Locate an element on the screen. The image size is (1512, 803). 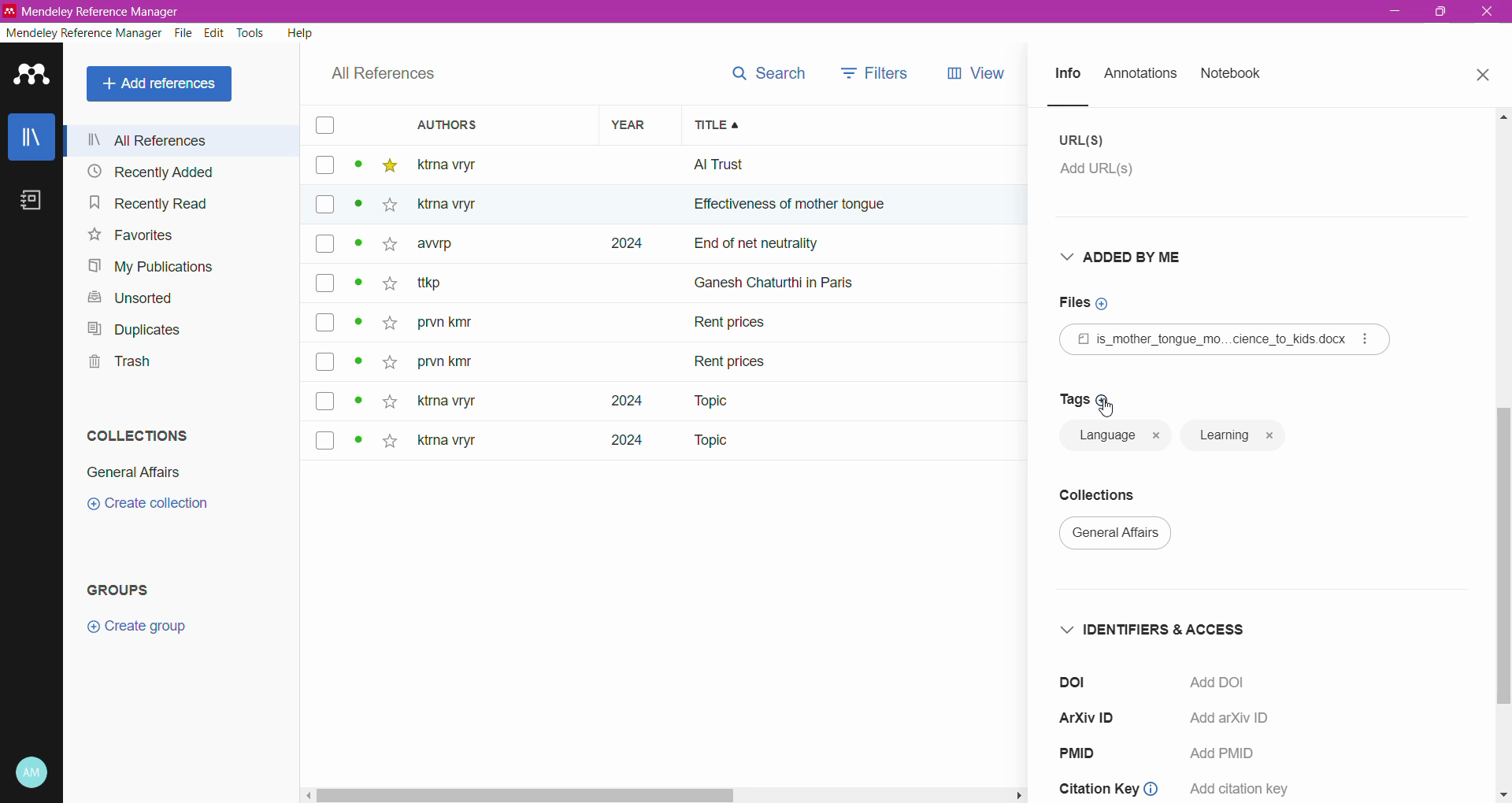
~ ttkp is located at coordinates (455, 283).